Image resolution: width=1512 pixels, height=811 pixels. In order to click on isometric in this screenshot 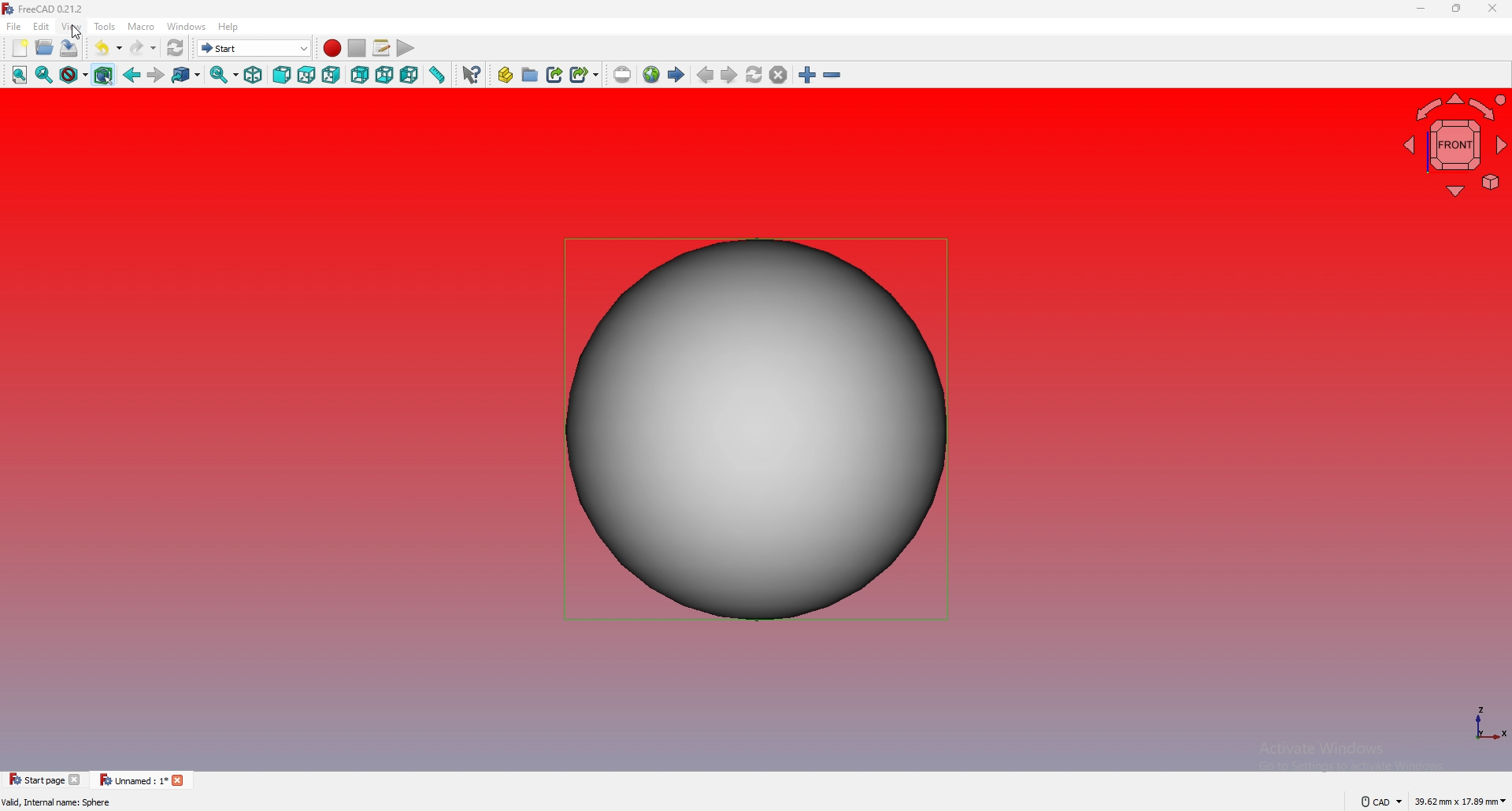, I will do `click(254, 75)`.